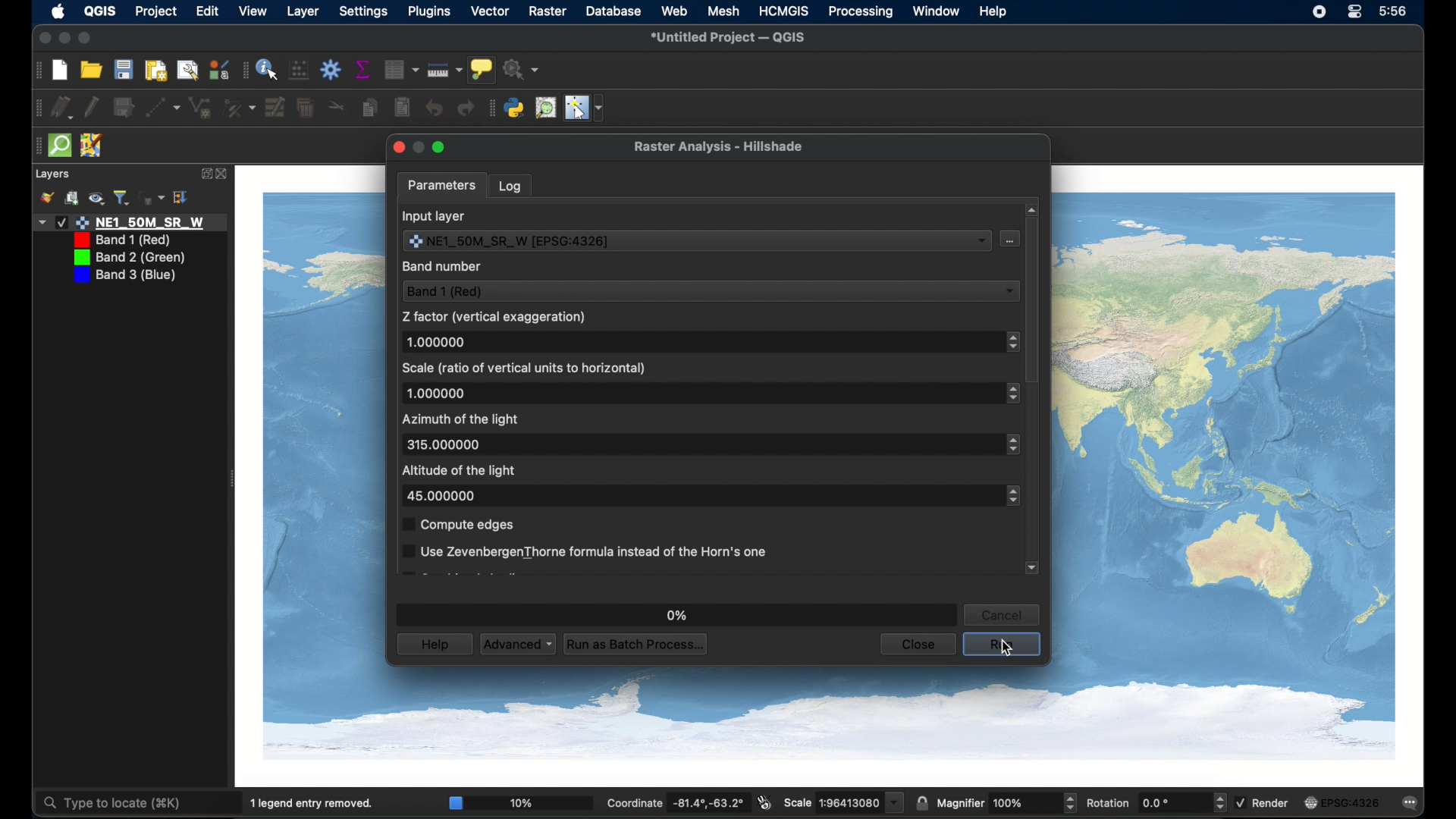 This screenshot has height=819, width=1456. What do you see at coordinates (445, 445) in the screenshot?
I see `315.000000` at bounding box center [445, 445].